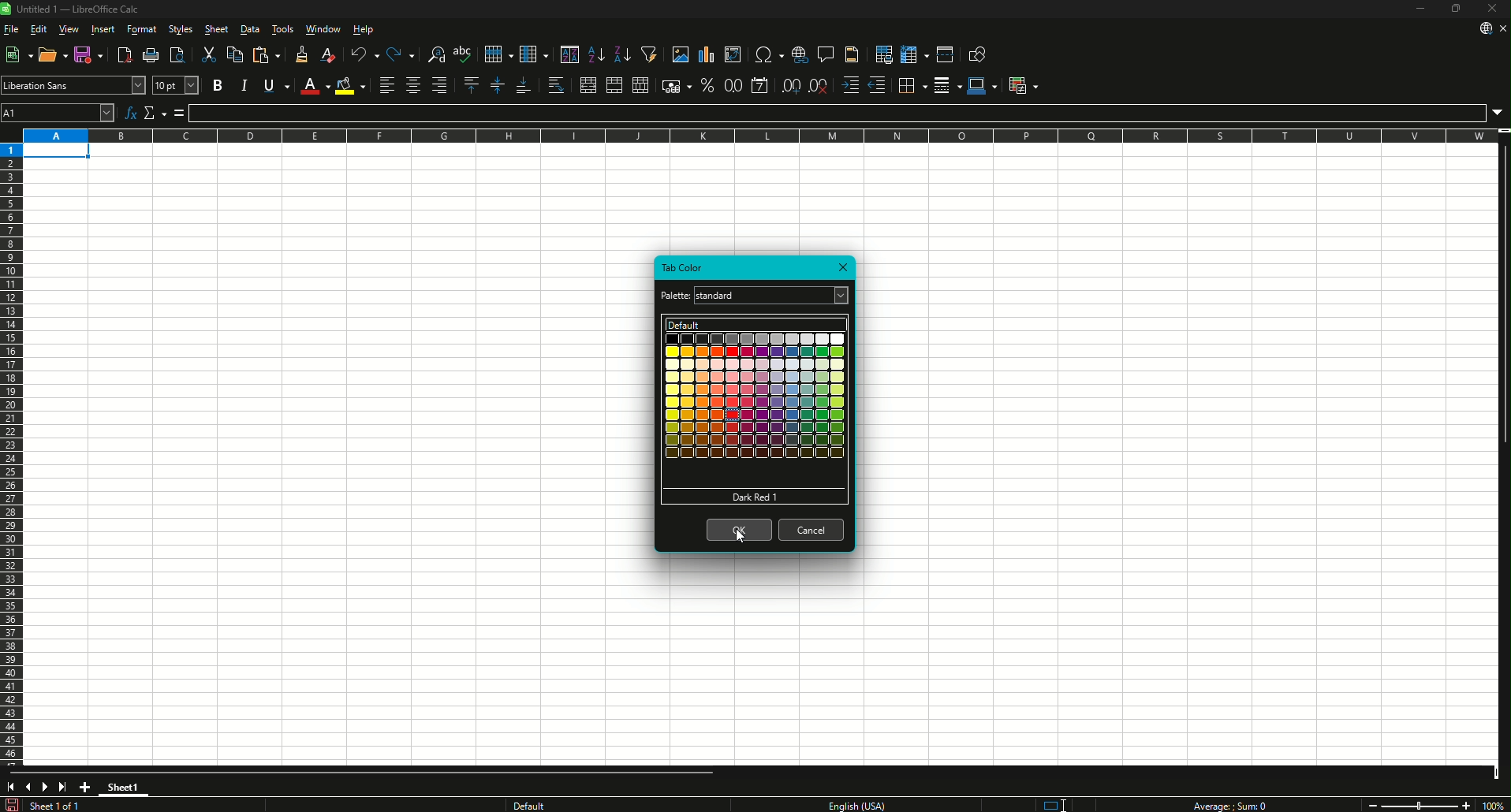  Describe the element at coordinates (733, 85) in the screenshot. I see `Format as Number` at that location.